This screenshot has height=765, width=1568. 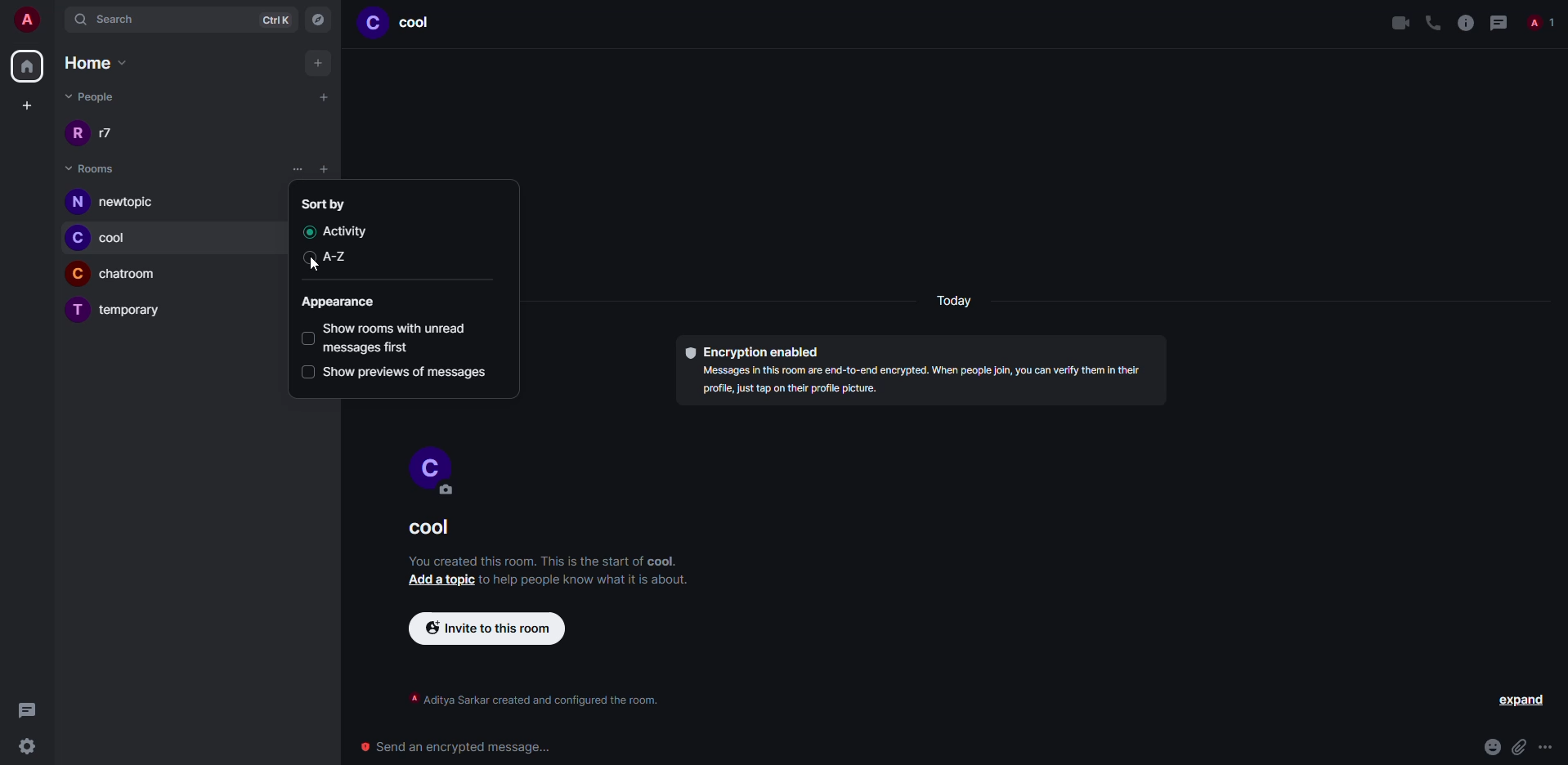 I want to click on cursor, so click(x=321, y=269).